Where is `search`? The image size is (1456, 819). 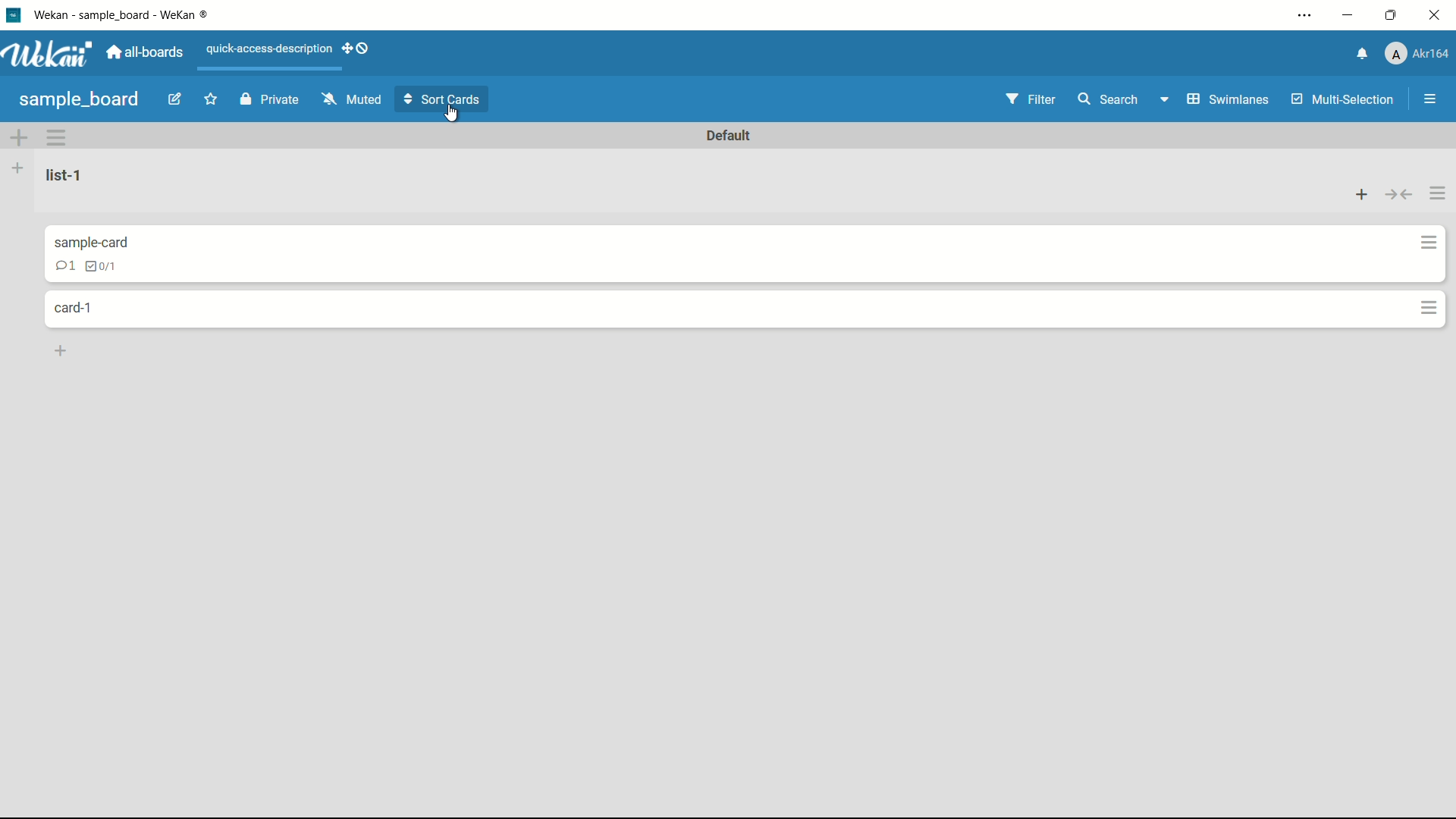 search is located at coordinates (1107, 99).